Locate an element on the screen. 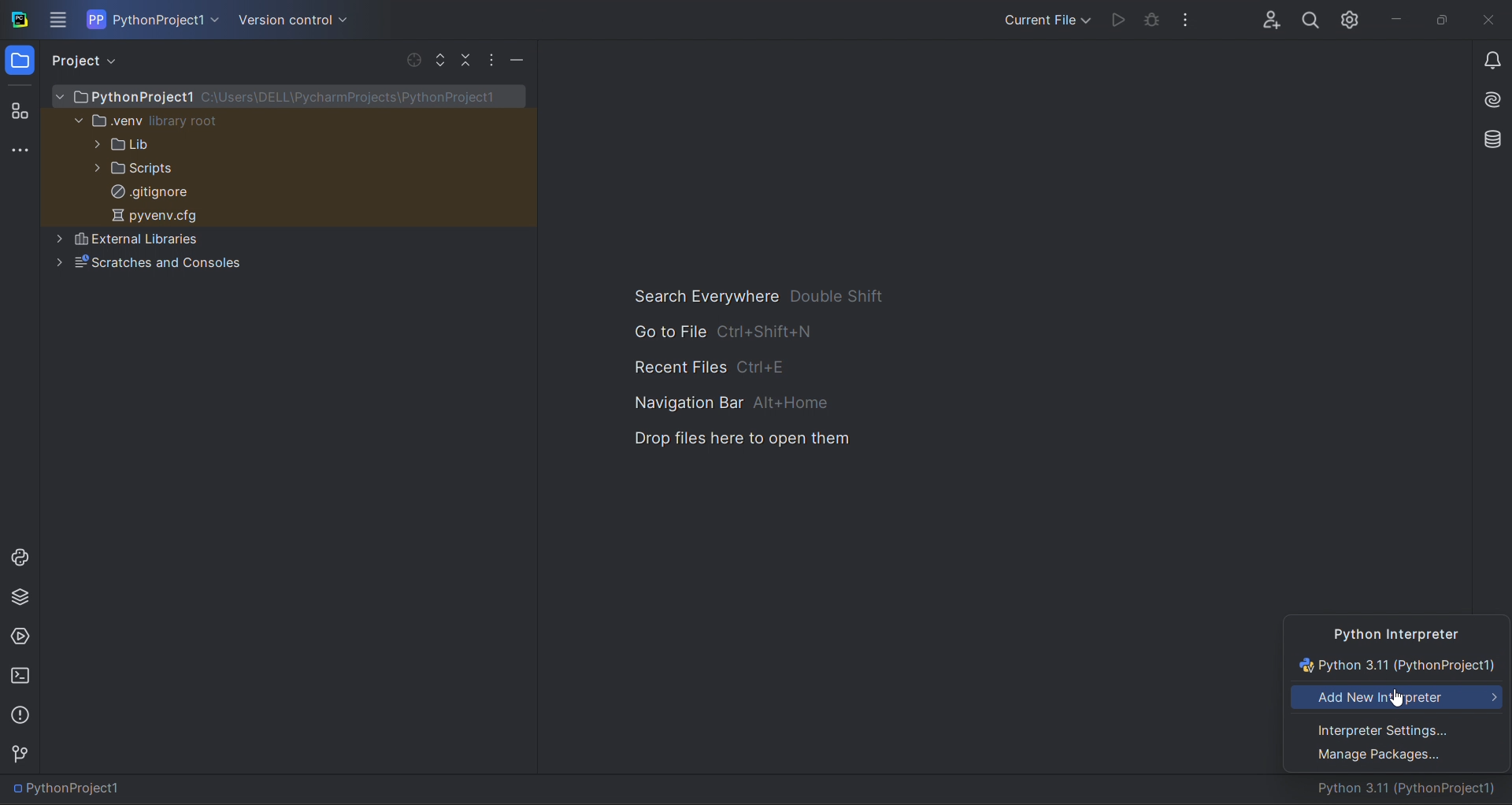 The image size is (1512, 805). current project is located at coordinates (154, 19).